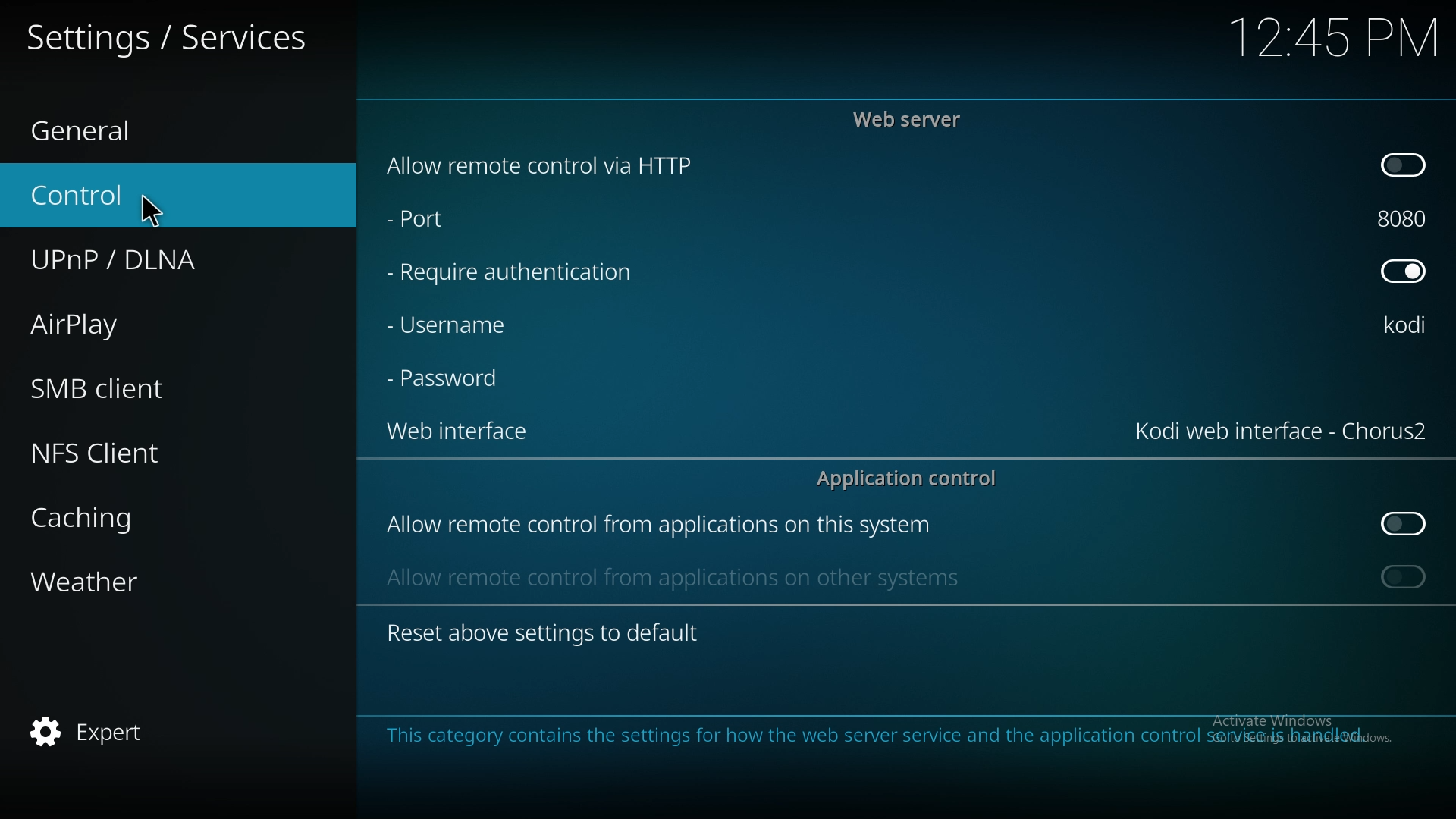 The height and width of the screenshot is (819, 1456). I want to click on info, so click(883, 736).